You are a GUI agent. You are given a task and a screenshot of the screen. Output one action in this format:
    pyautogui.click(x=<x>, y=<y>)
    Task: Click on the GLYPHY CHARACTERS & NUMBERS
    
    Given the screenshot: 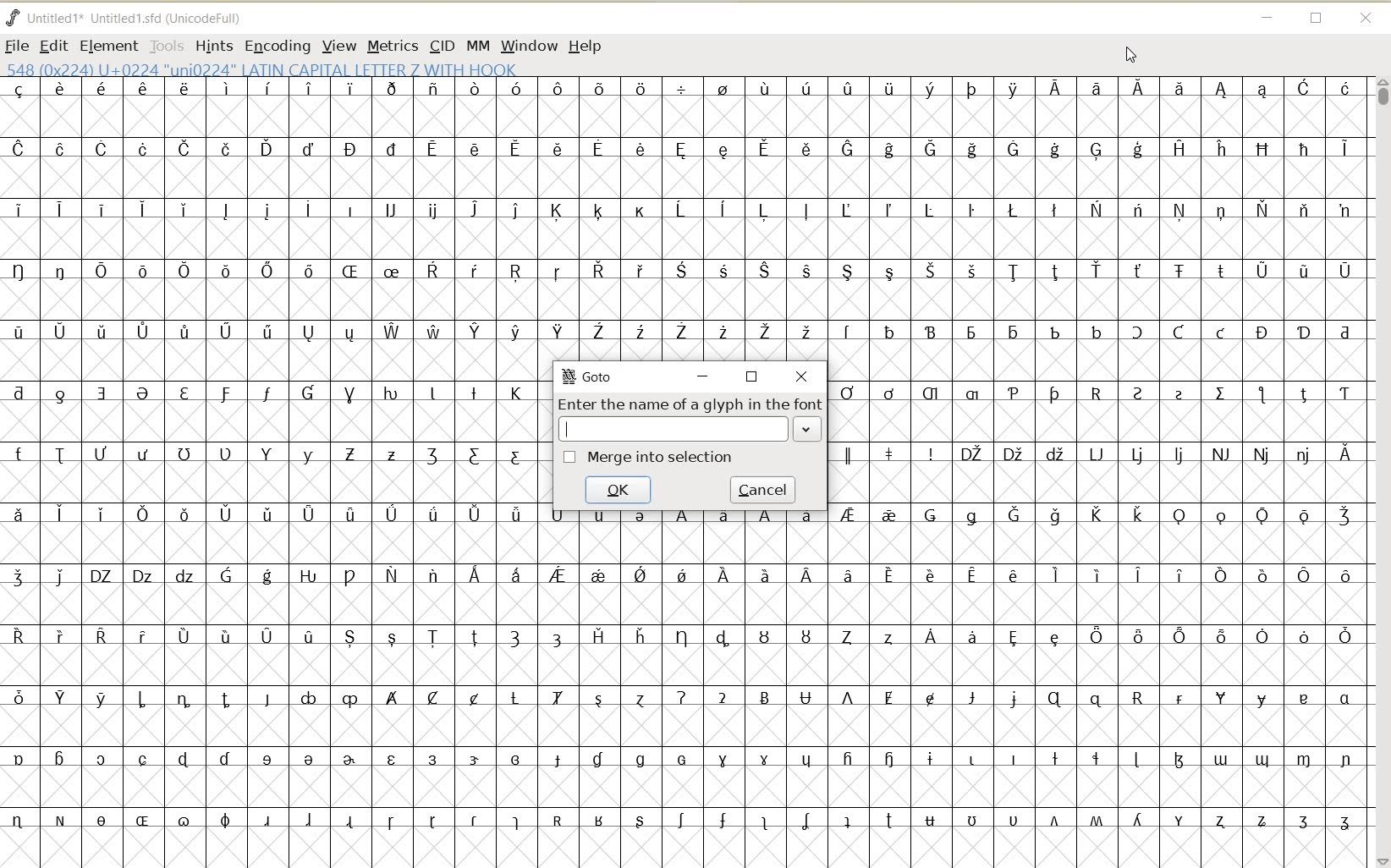 What is the action you would take?
    pyautogui.click(x=684, y=684)
    